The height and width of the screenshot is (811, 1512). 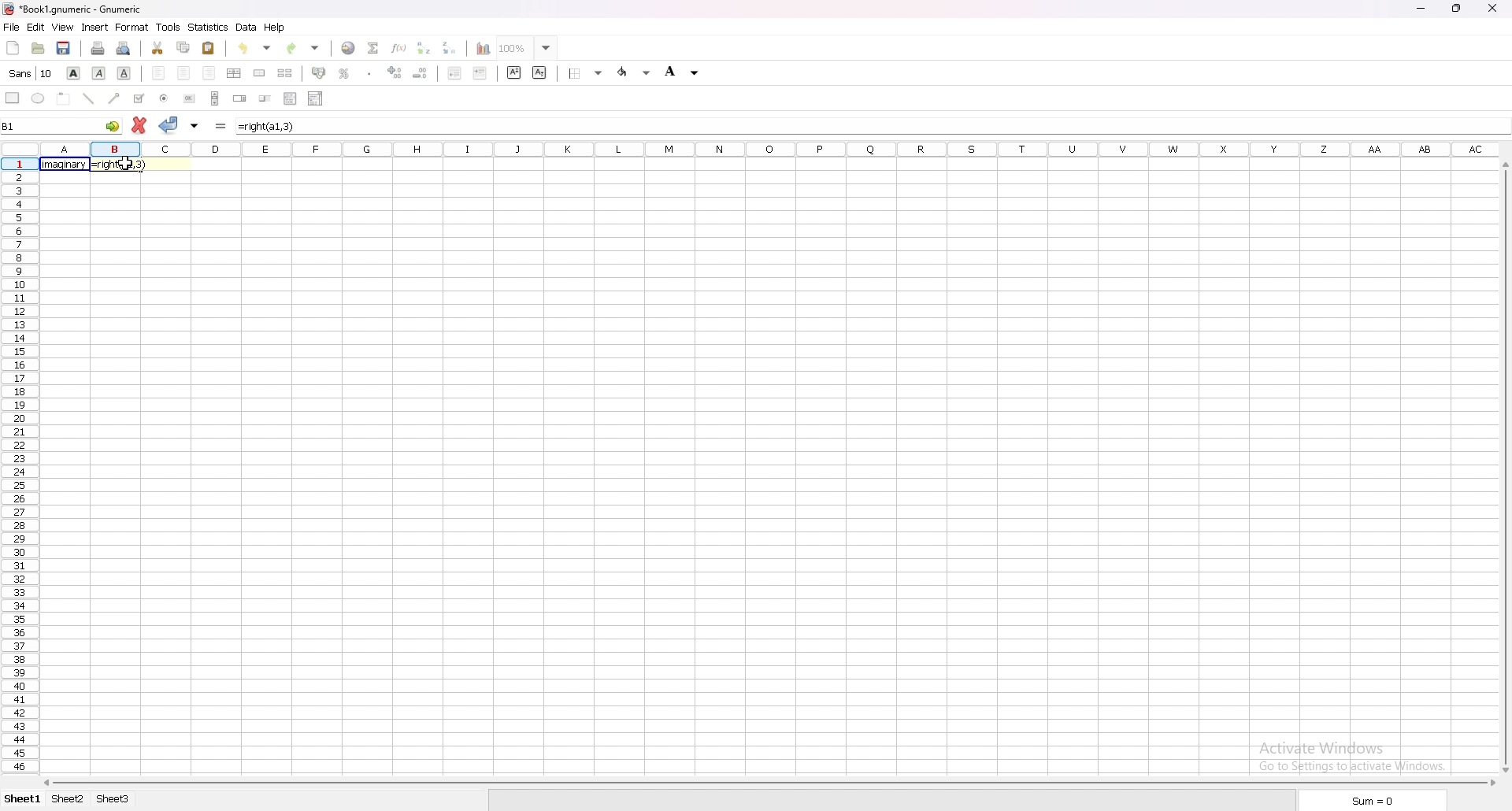 What do you see at coordinates (117, 164) in the screenshot?
I see `formula` at bounding box center [117, 164].